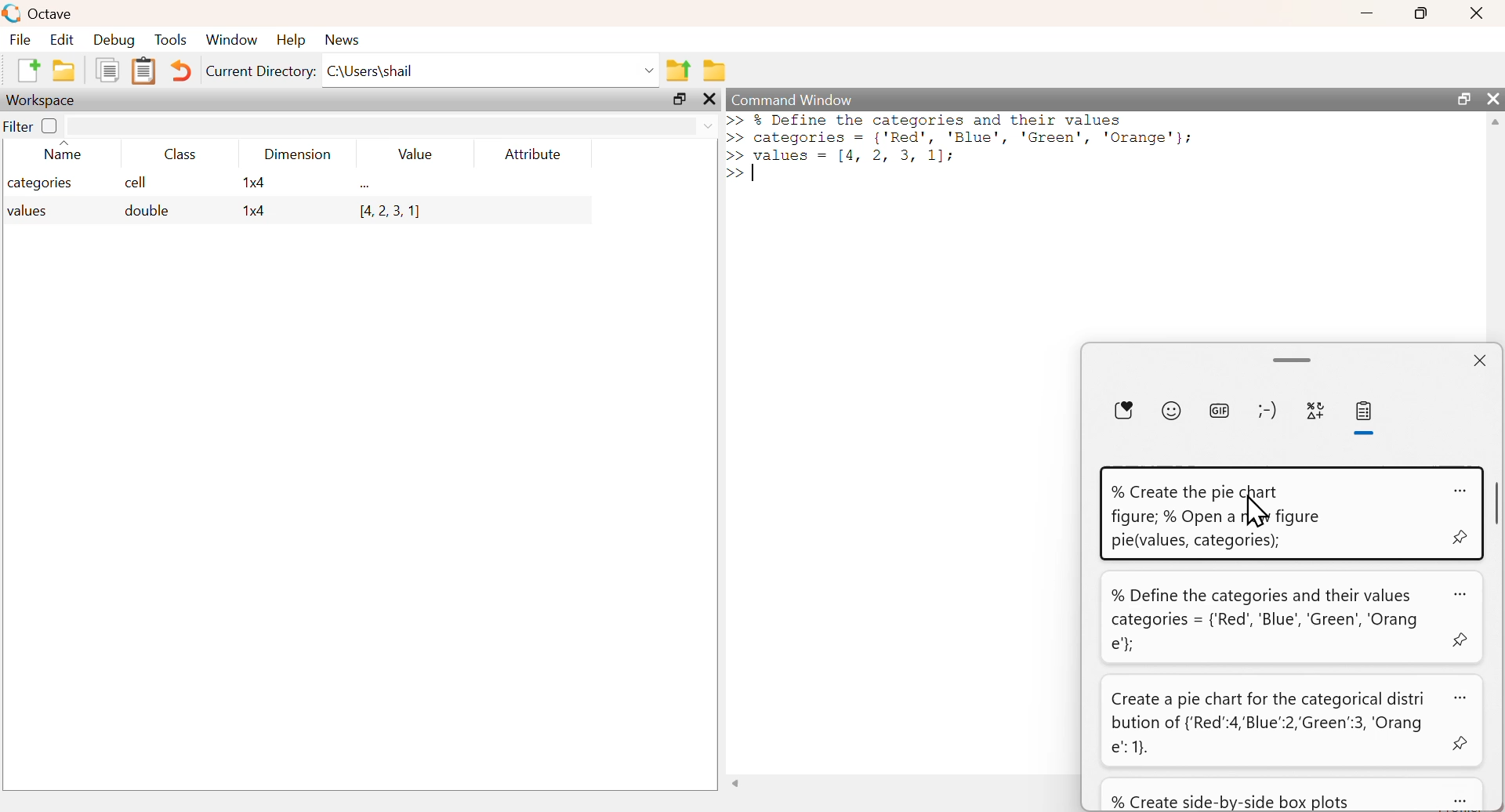  Describe the element at coordinates (962, 149) in the screenshot. I see `>> % Define the categorles and their values

>> categories = {'Red', 'Blue', 'Green', 'Orange'};
>> values = [4, 2, 3, 1]:

>> |` at that location.